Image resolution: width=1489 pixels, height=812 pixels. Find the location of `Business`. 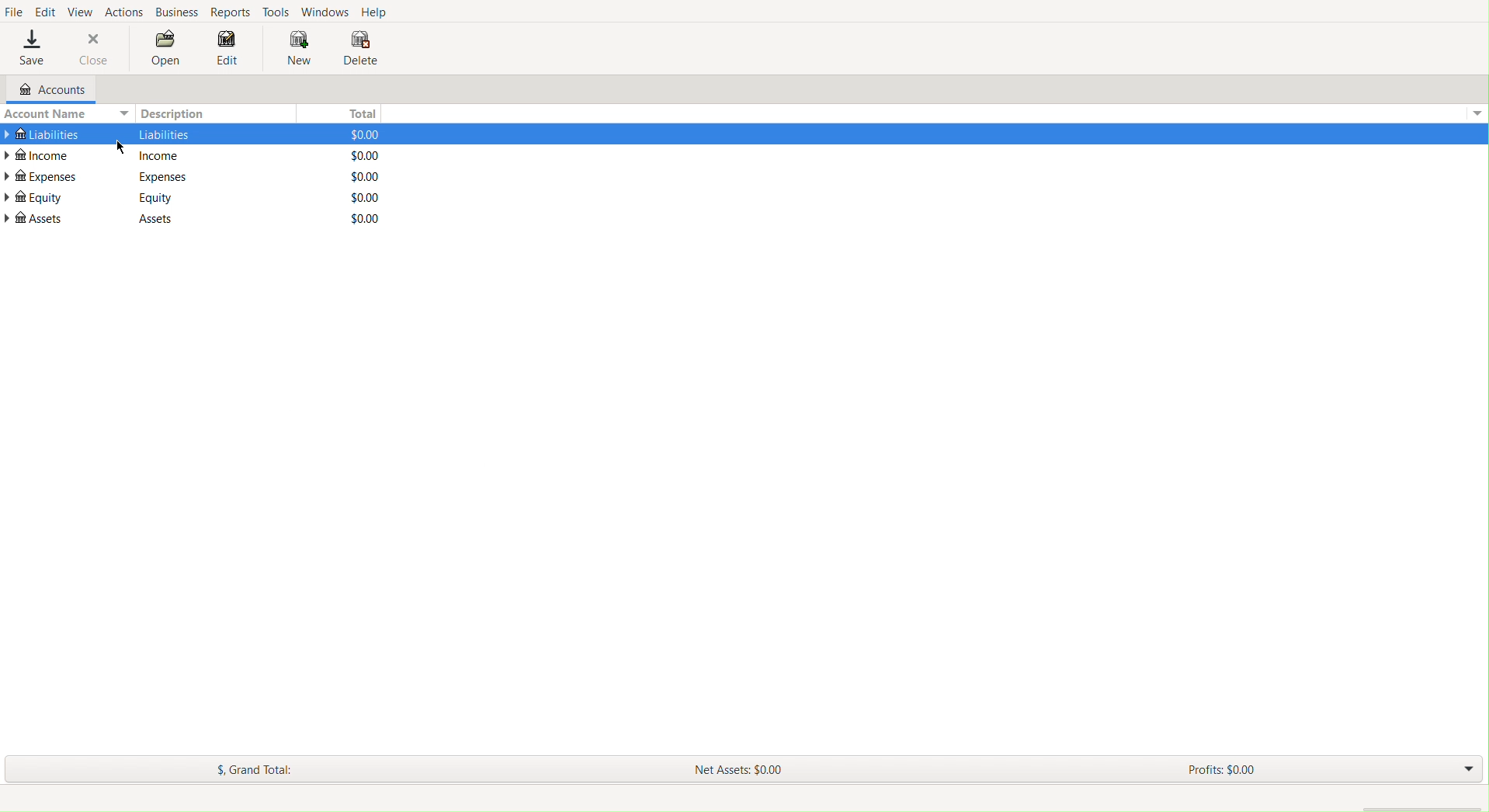

Business is located at coordinates (177, 12).